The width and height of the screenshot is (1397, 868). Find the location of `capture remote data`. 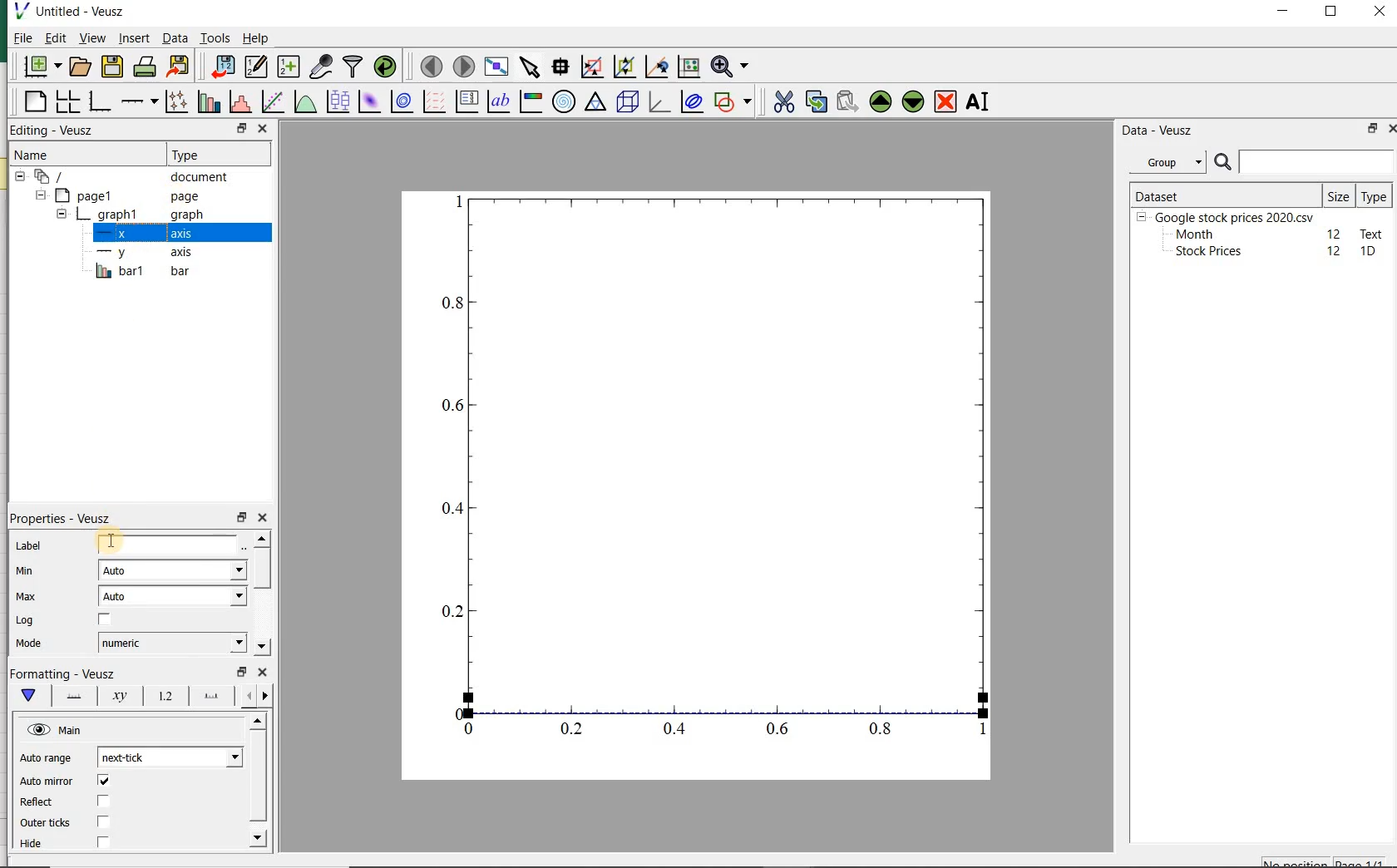

capture remote data is located at coordinates (321, 67).